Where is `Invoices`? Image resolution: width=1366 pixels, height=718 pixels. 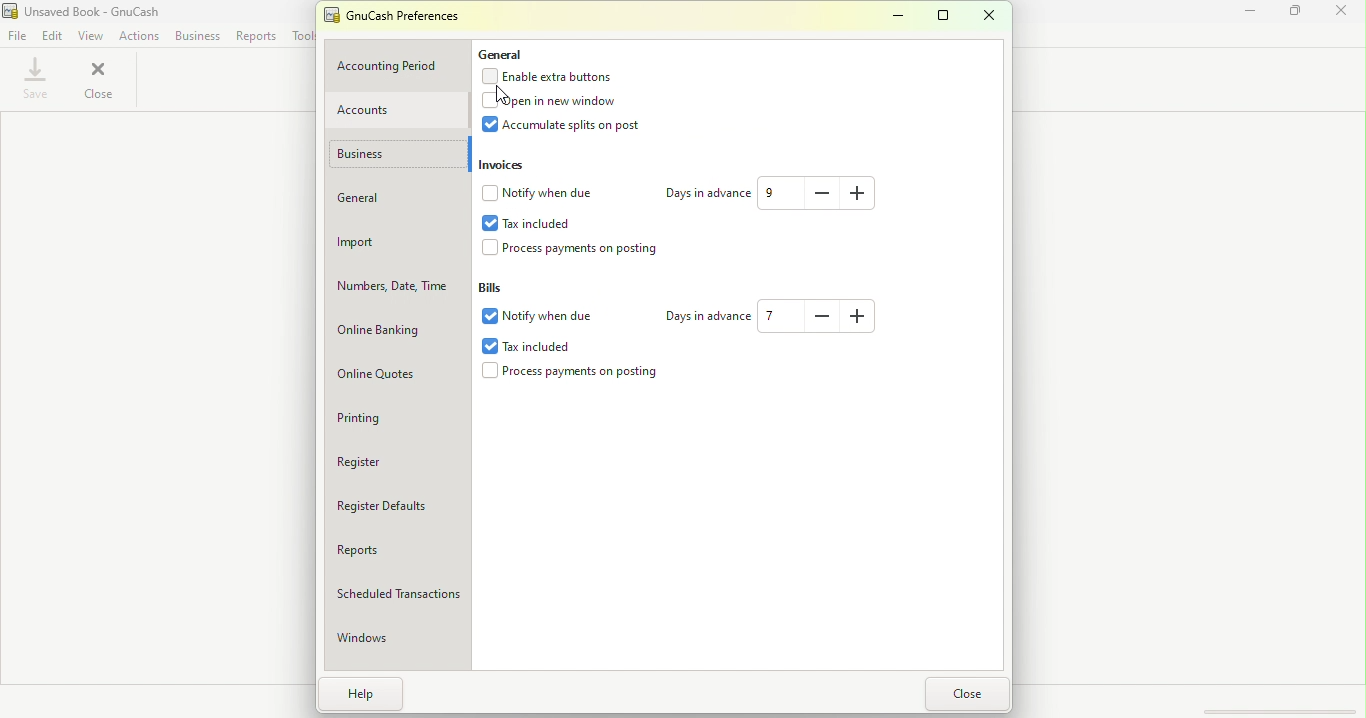
Invoices is located at coordinates (508, 164).